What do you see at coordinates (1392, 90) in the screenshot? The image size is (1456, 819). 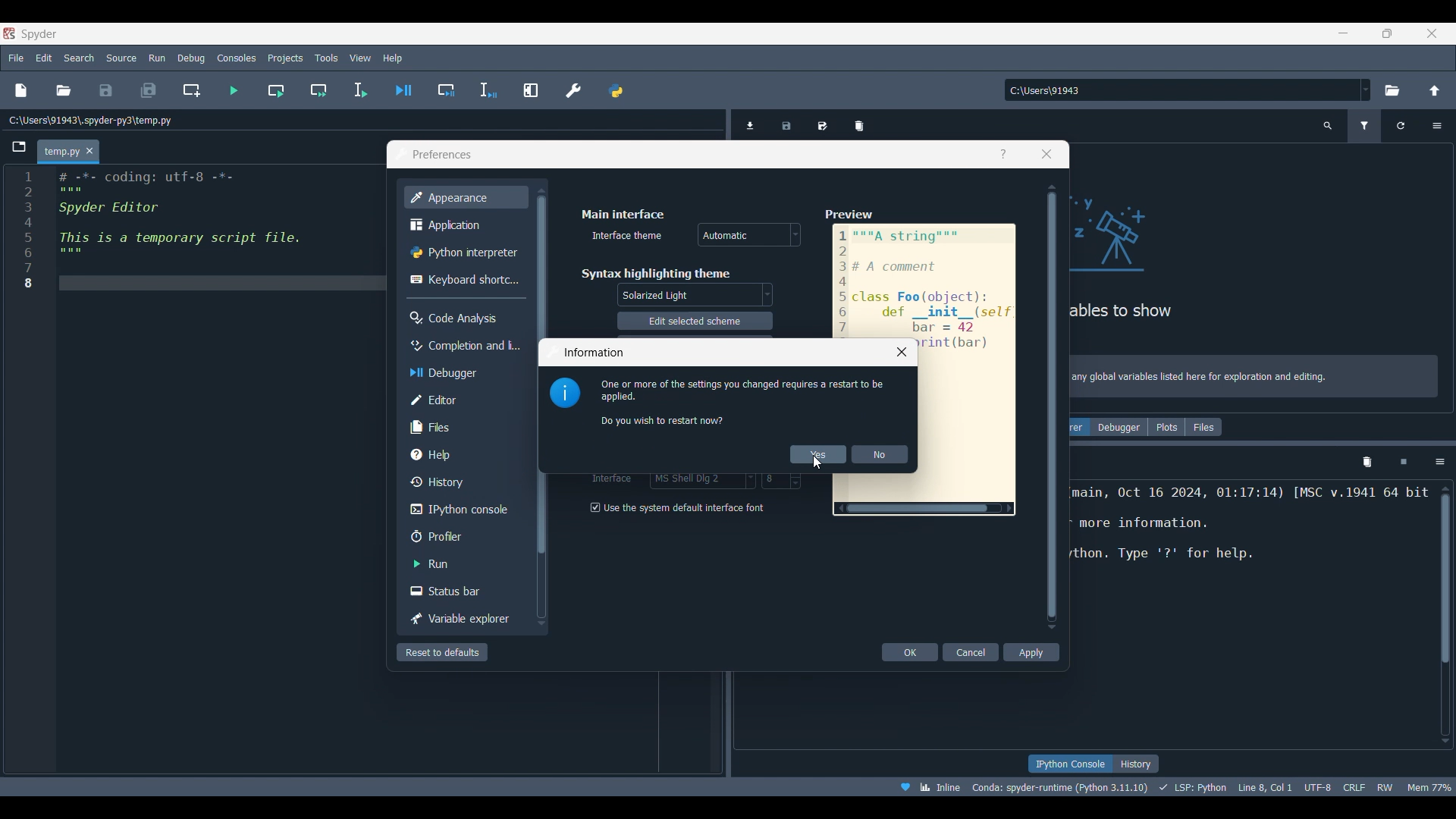 I see `Browse a working directory` at bounding box center [1392, 90].